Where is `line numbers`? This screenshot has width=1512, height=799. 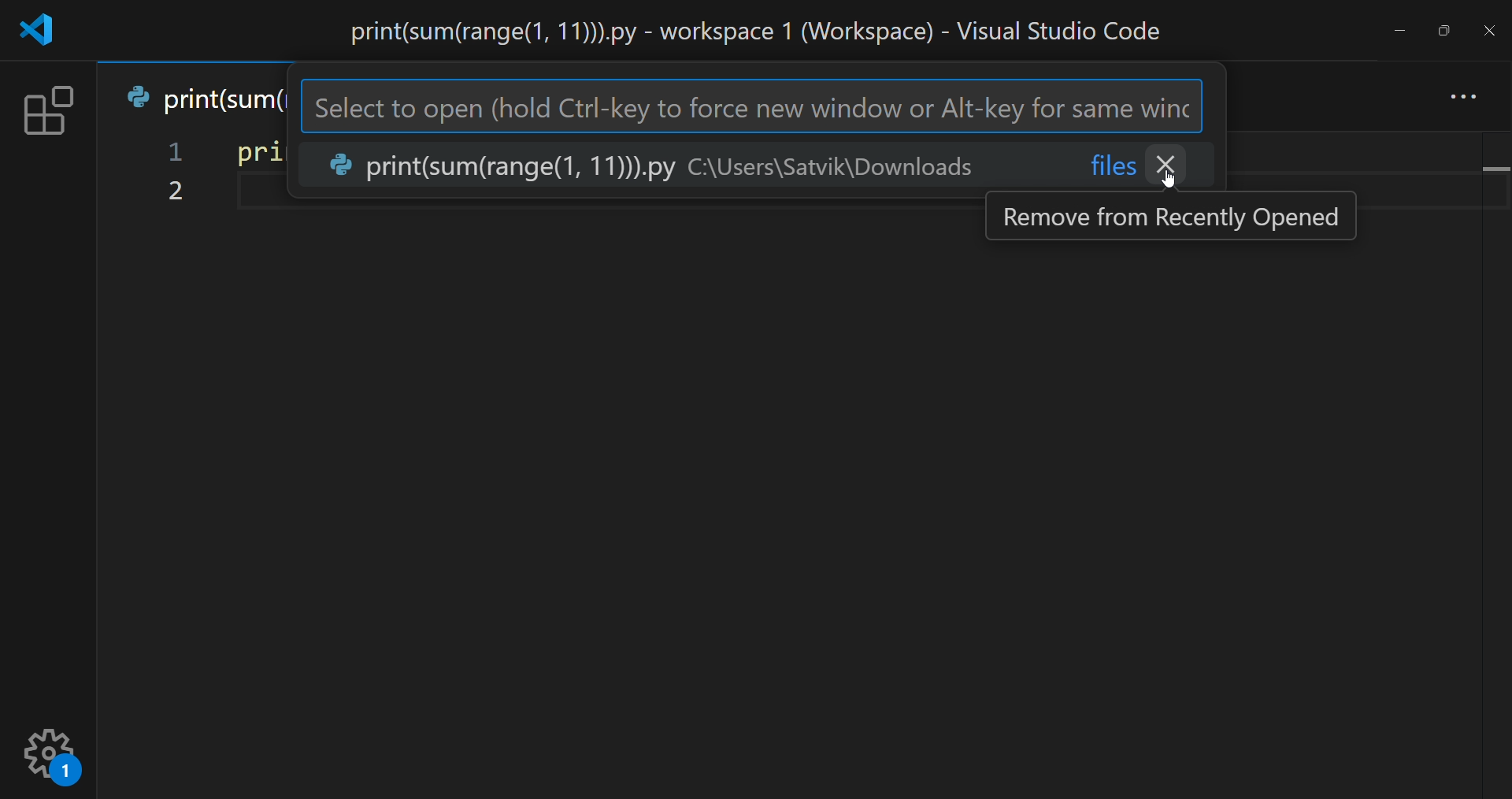 line numbers is located at coordinates (172, 175).